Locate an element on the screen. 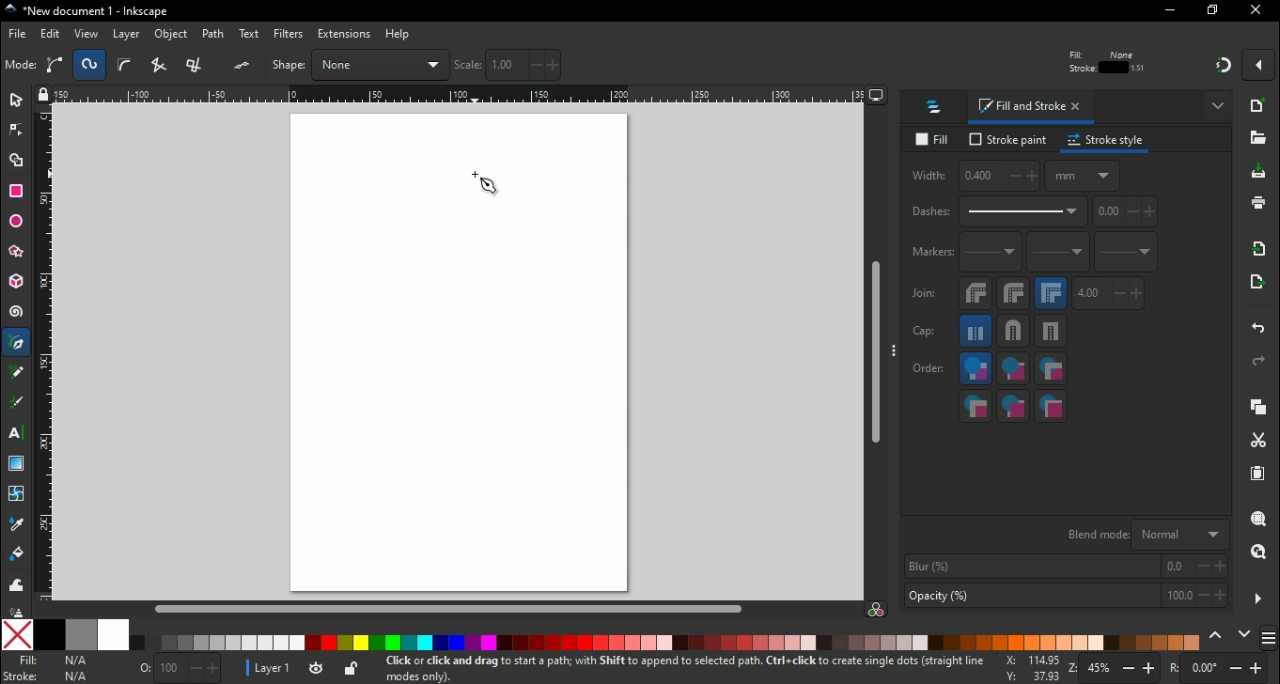 The height and width of the screenshot is (684, 1280). mesh tool is located at coordinates (14, 495).